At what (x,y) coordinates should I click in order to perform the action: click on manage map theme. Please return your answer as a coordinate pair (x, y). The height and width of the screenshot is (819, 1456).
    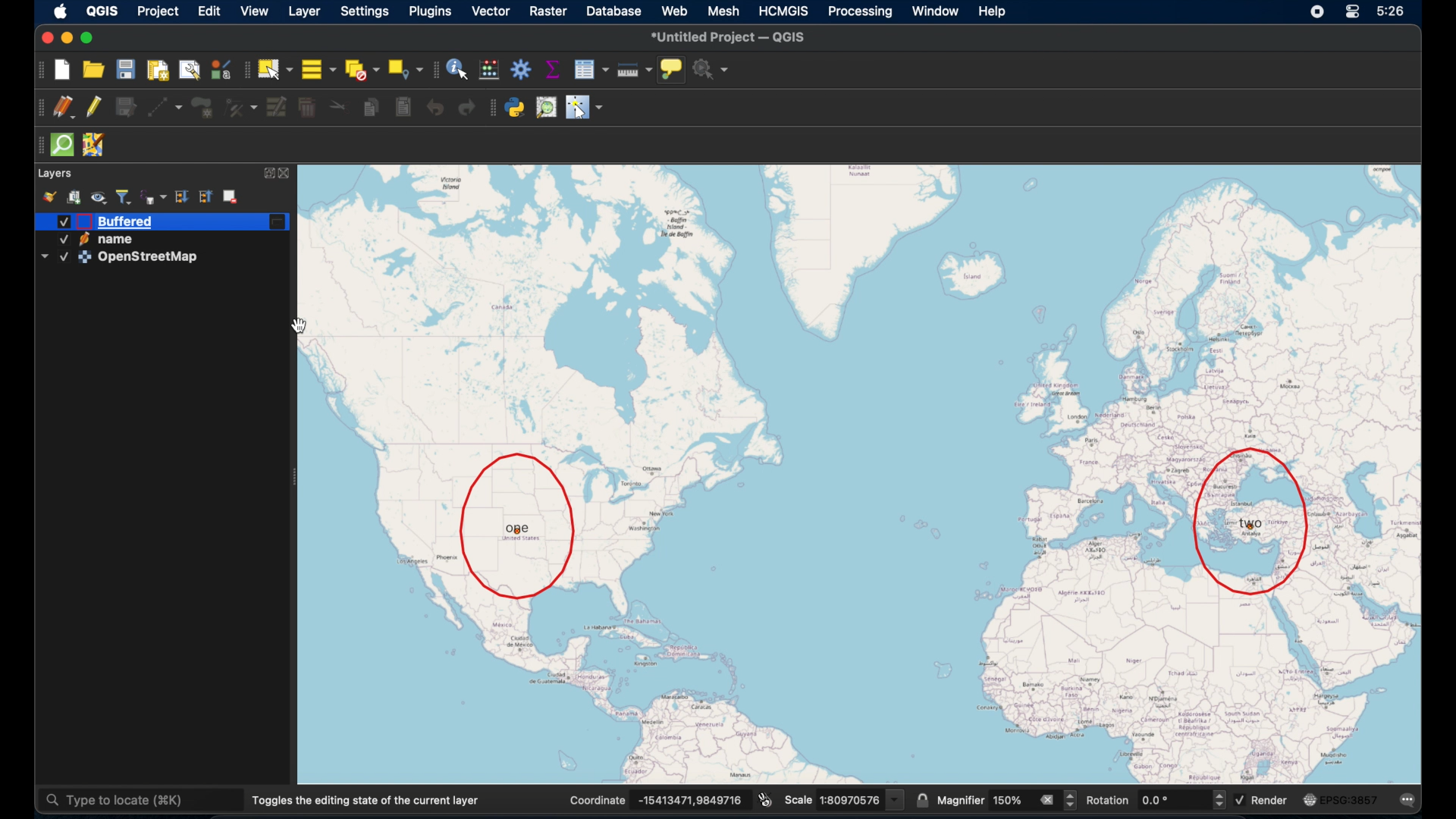
    Looking at the image, I should click on (98, 197).